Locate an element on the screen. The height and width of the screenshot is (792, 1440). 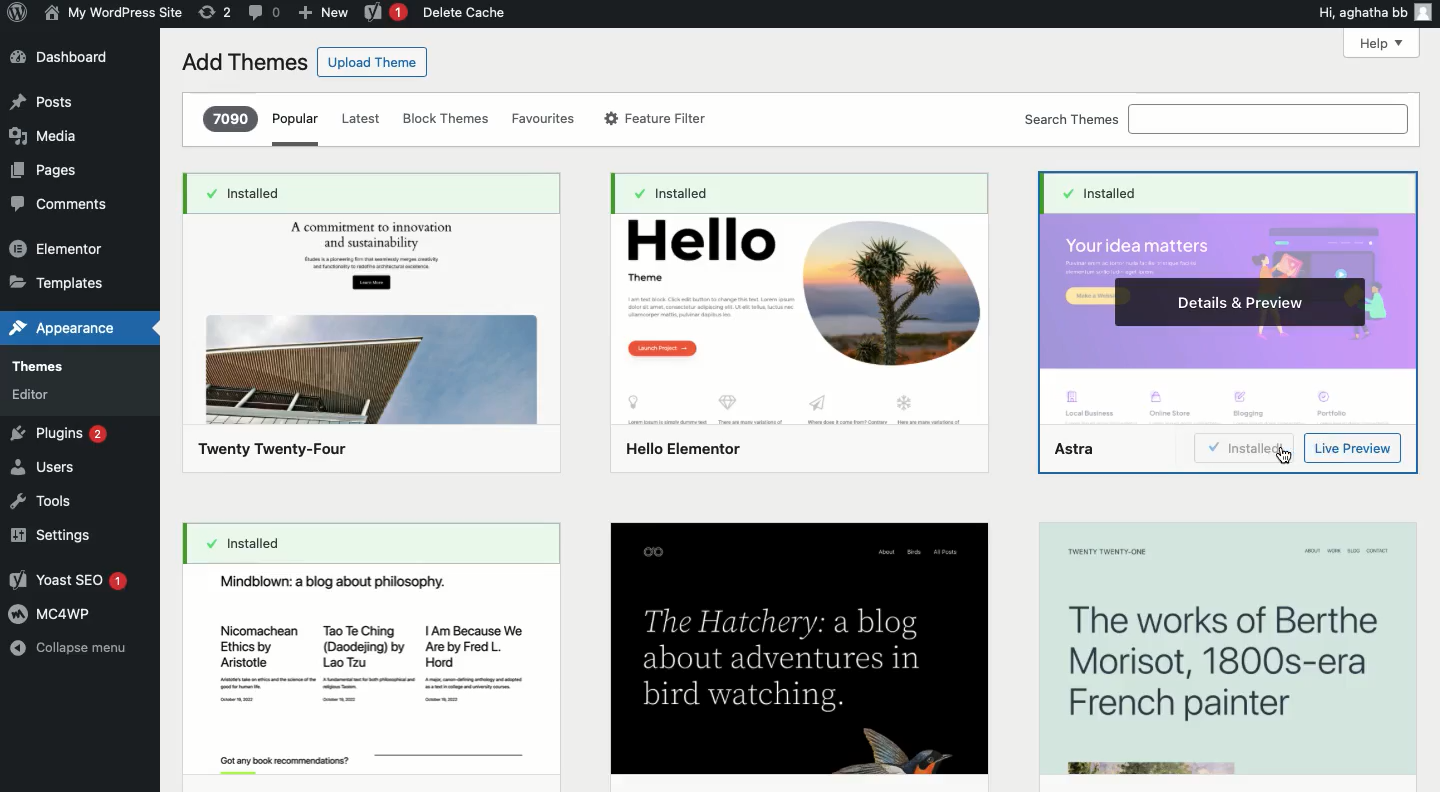
Installed is located at coordinates (1230, 193).